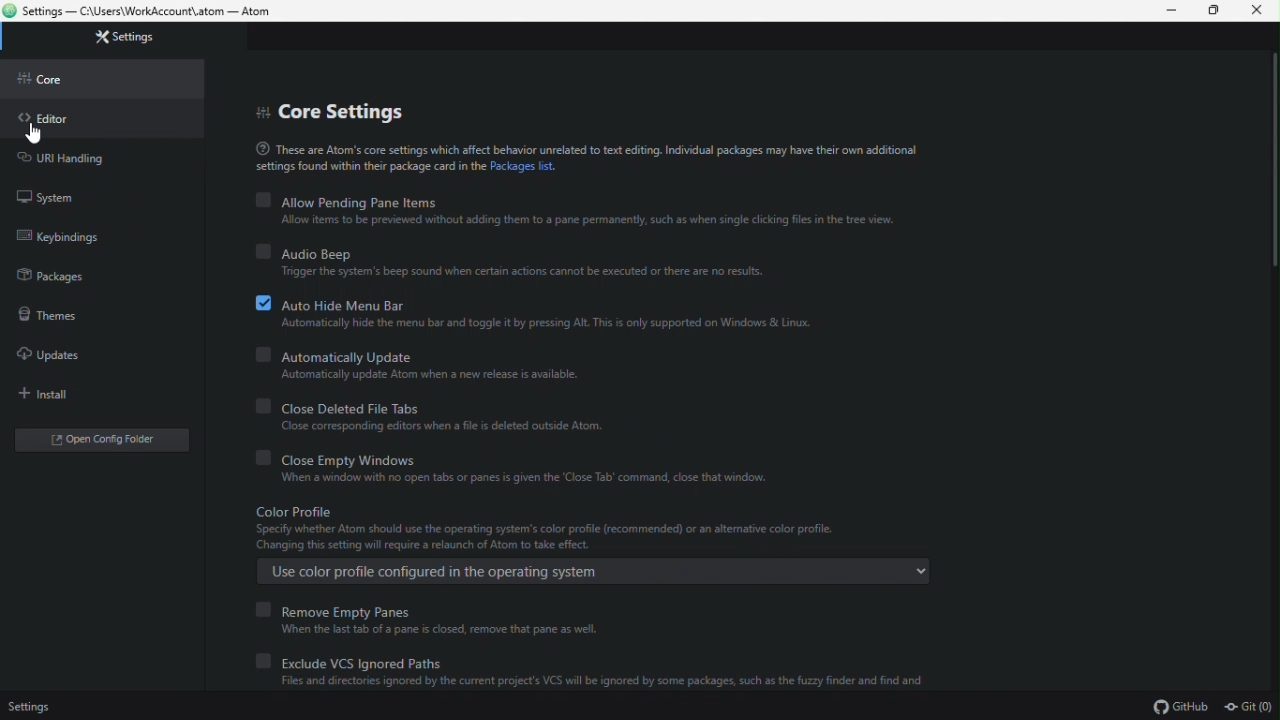  I want to click on Allow items 10 be previewed without adding them to 2 pane permanently, such as when single clicking files in the tree view., so click(587, 222).